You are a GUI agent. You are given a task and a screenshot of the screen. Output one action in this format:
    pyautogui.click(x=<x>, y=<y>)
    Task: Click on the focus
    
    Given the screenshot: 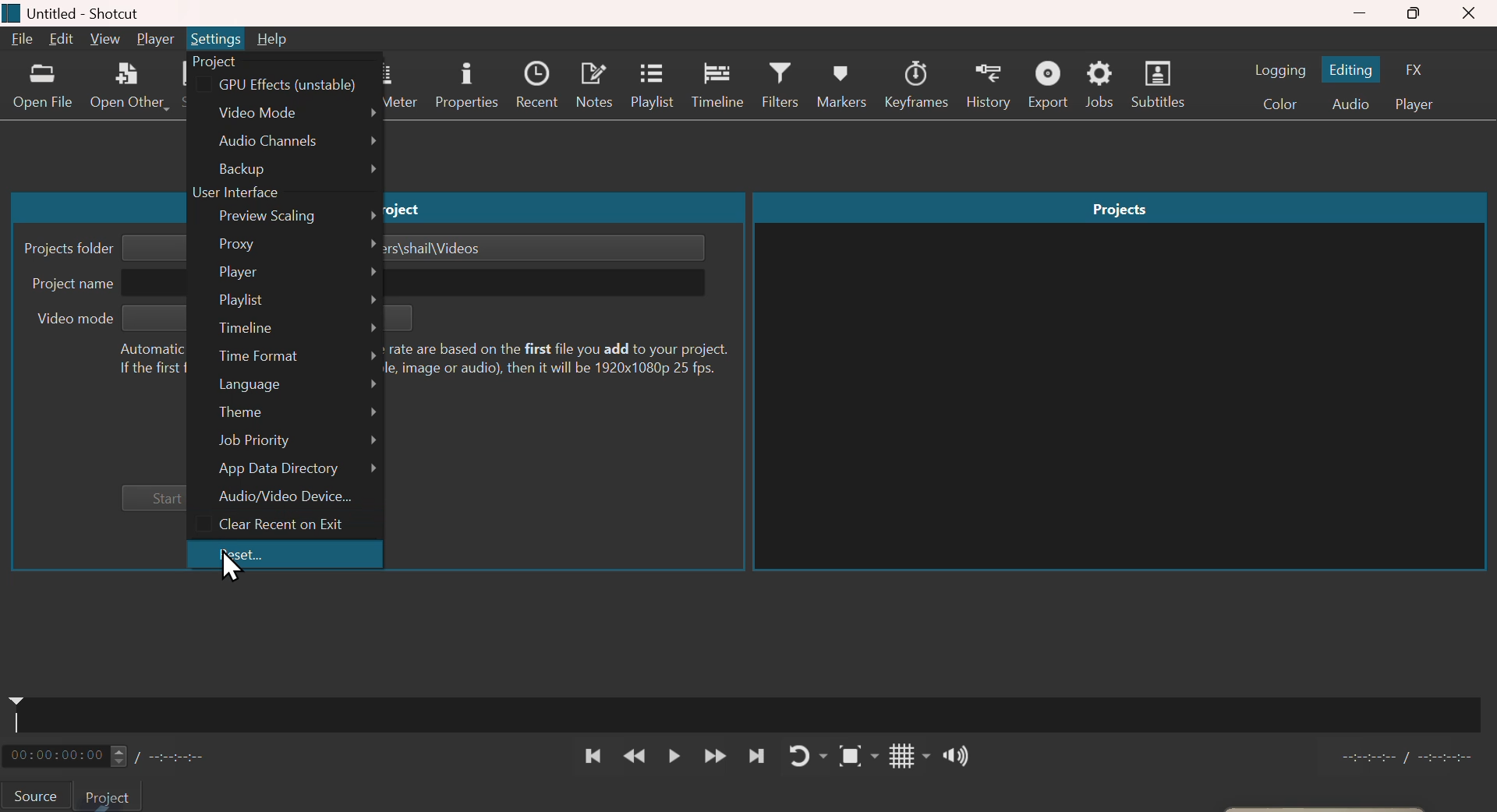 What is the action you would take?
    pyautogui.click(x=850, y=756)
    